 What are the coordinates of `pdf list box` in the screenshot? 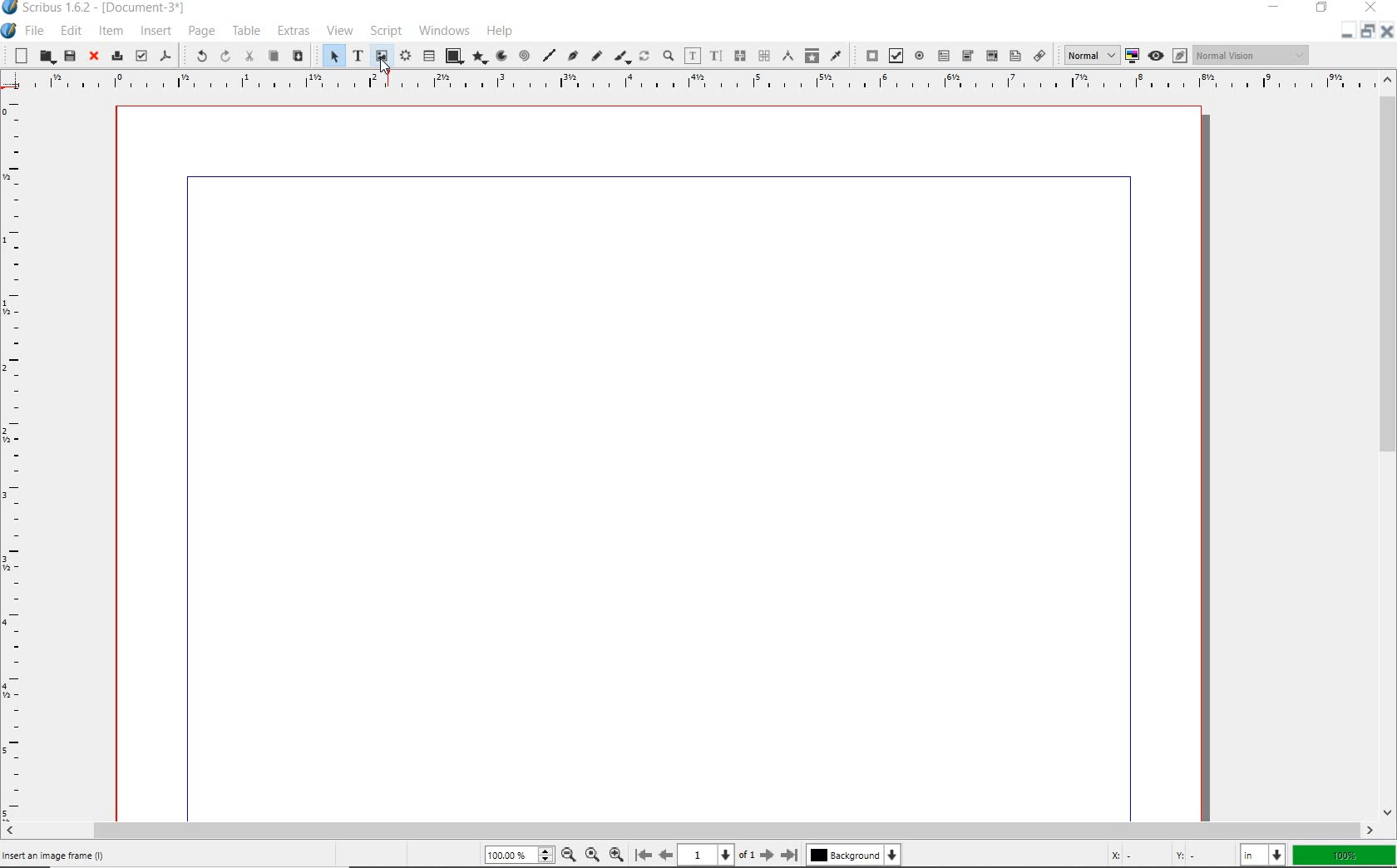 It's located at (1014, 55).